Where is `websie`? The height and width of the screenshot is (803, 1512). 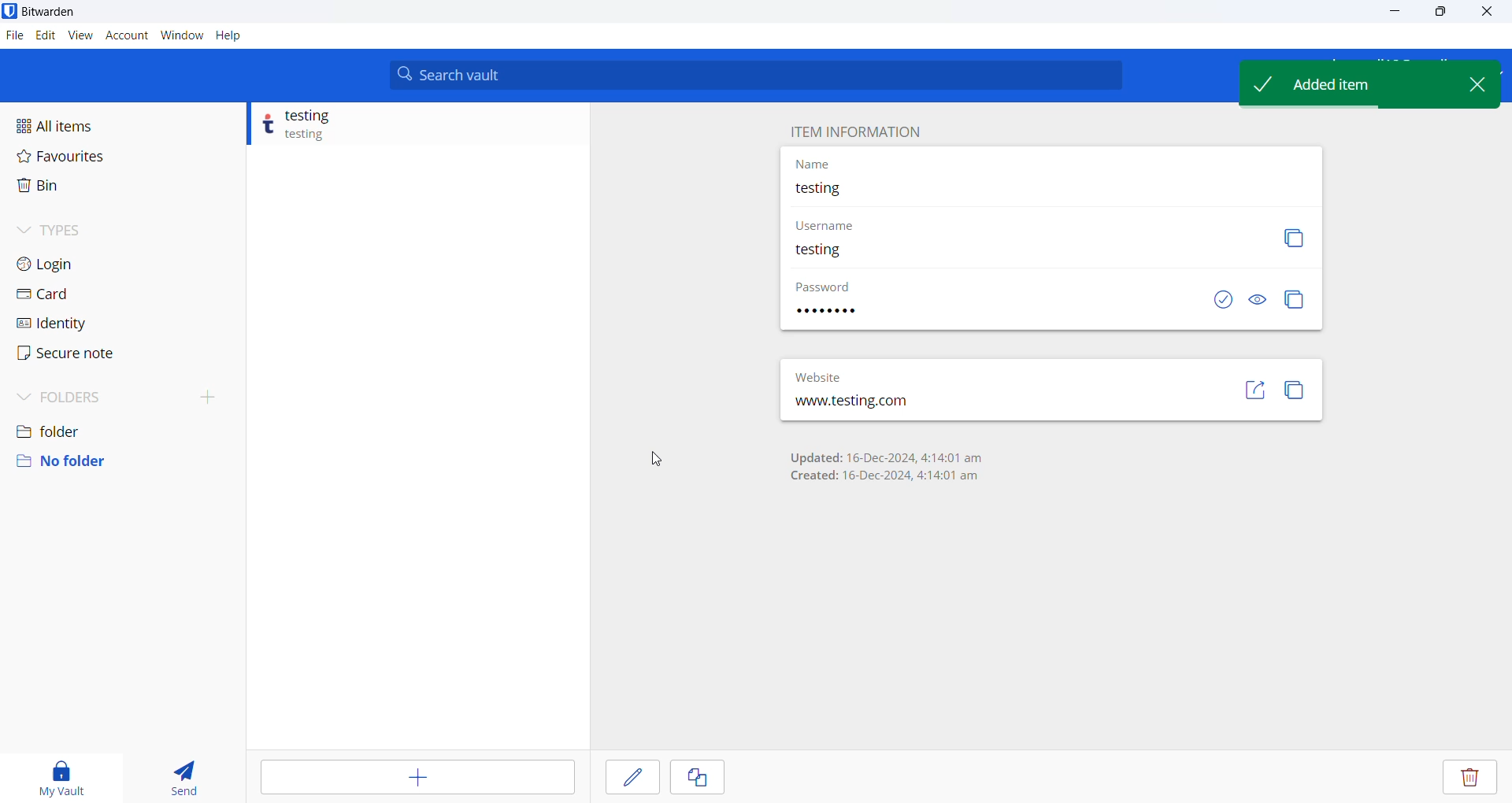
websie is located at coordinates (823, 374).